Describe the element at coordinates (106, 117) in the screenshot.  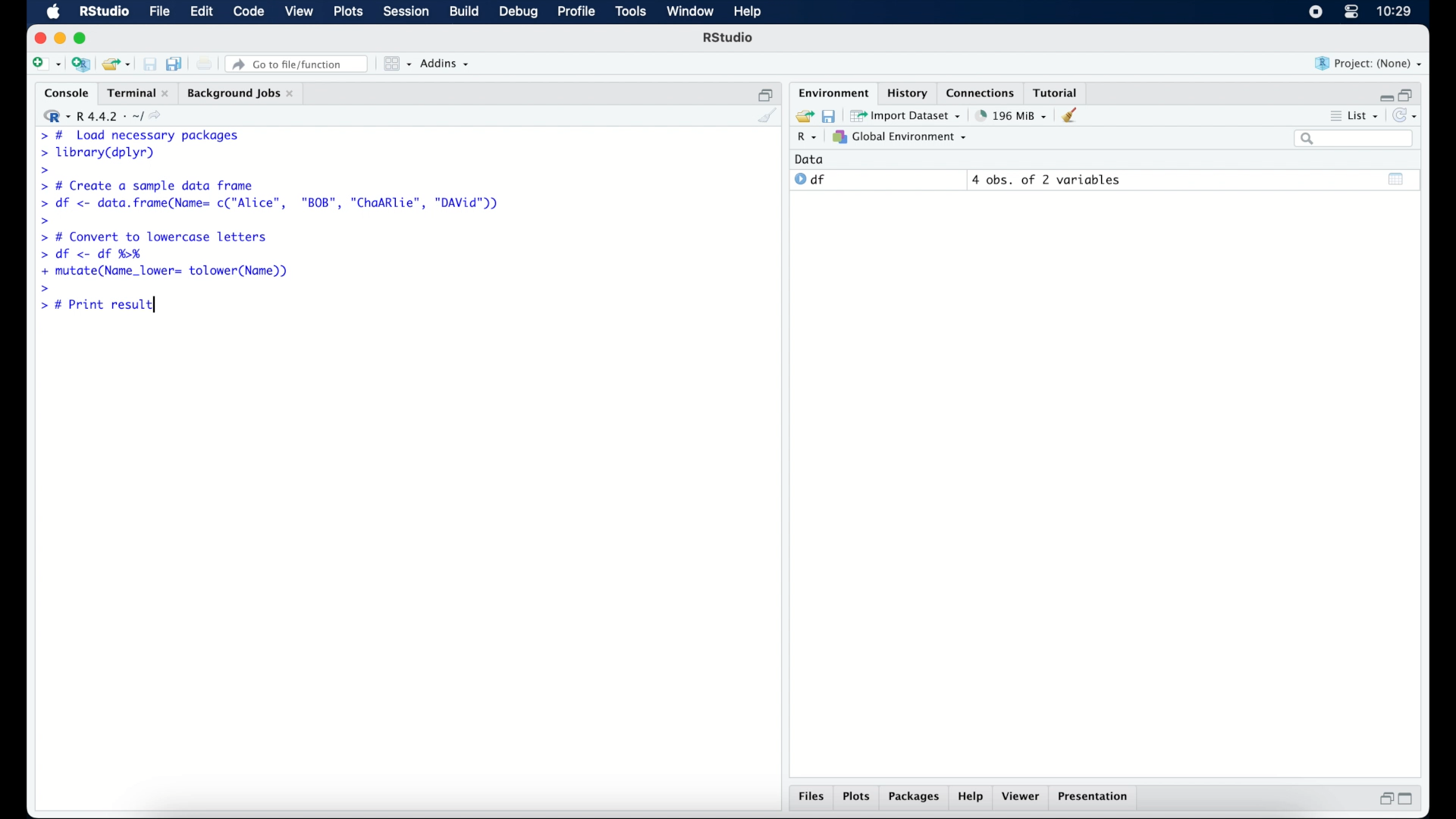
I see `R 4.4.2` at that location.